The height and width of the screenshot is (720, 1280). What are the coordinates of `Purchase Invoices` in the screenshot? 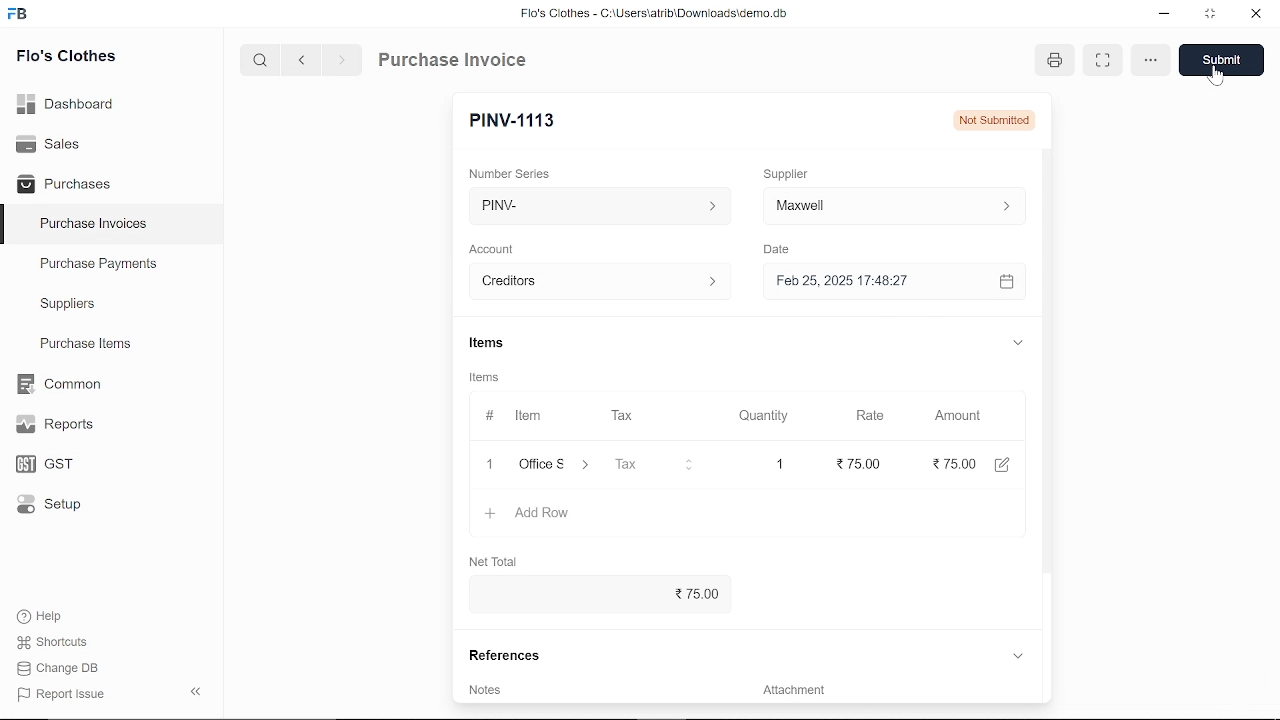 It's located at (94, 226).